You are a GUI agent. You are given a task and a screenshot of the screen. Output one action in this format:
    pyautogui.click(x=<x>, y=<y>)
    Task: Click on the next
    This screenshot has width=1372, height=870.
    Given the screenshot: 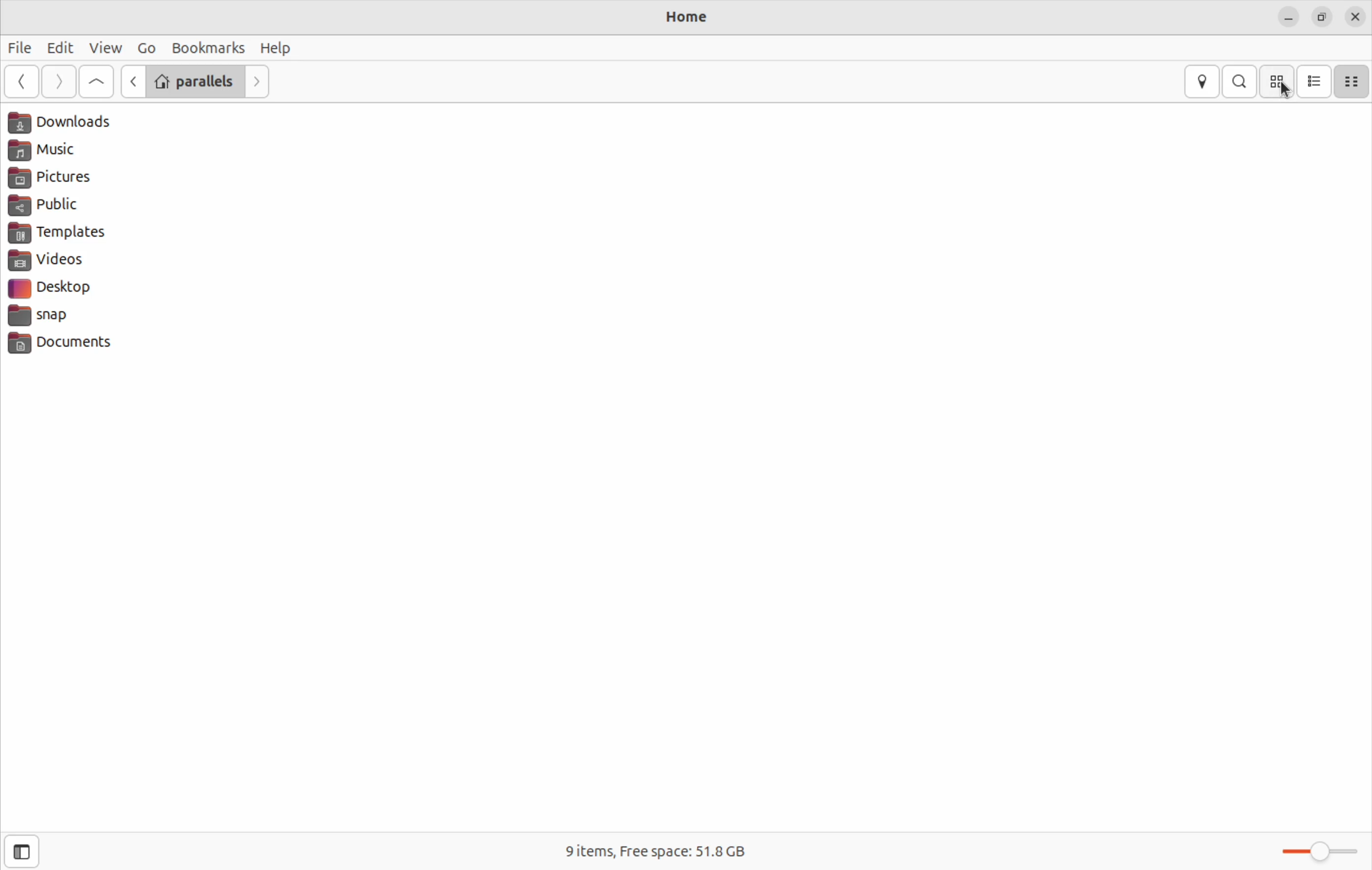 What is the action you would take?
    pyautogui.click(x=58, y=81)
    